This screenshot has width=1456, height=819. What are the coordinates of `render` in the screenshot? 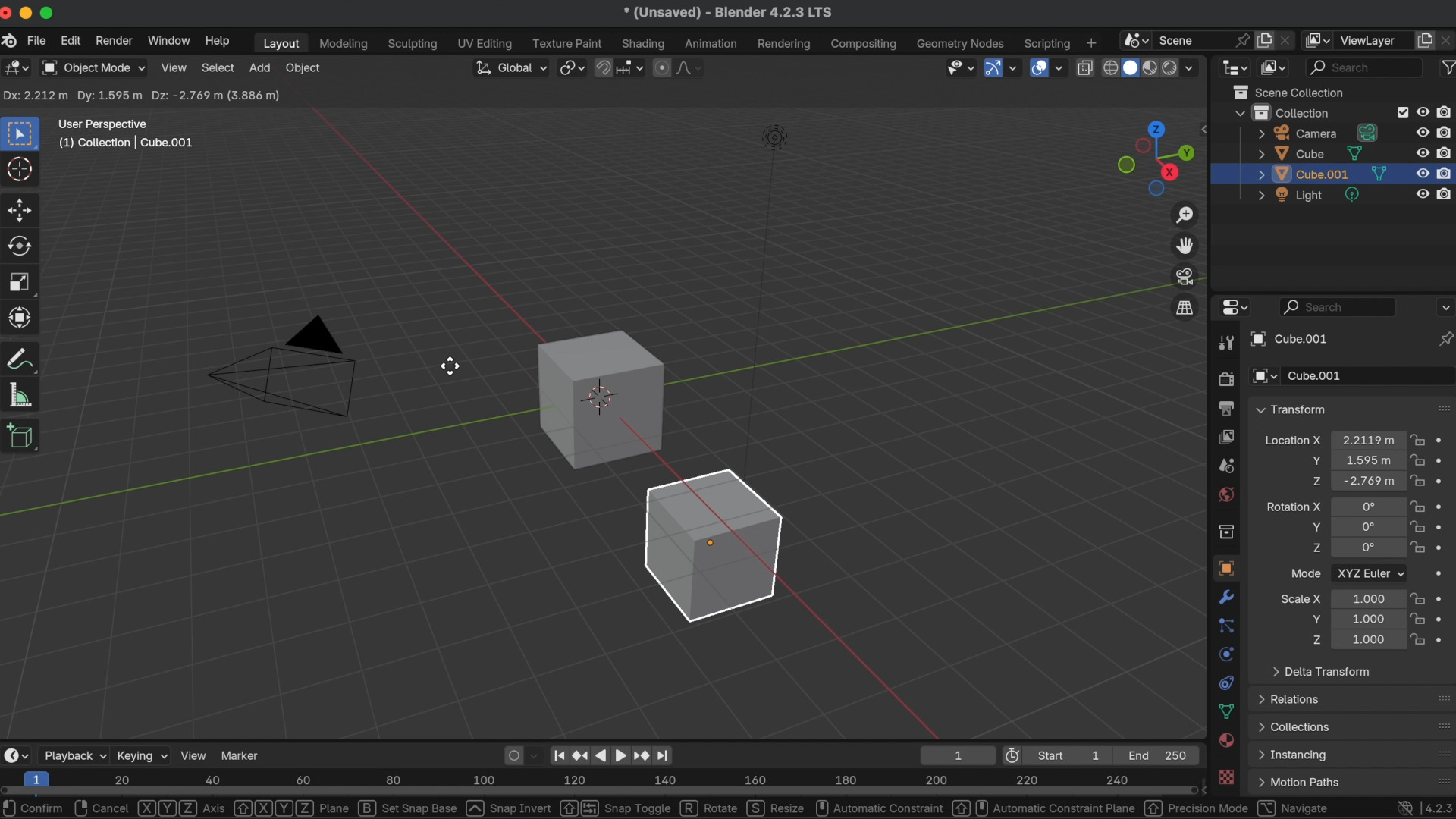 It's located at (1225, 380).